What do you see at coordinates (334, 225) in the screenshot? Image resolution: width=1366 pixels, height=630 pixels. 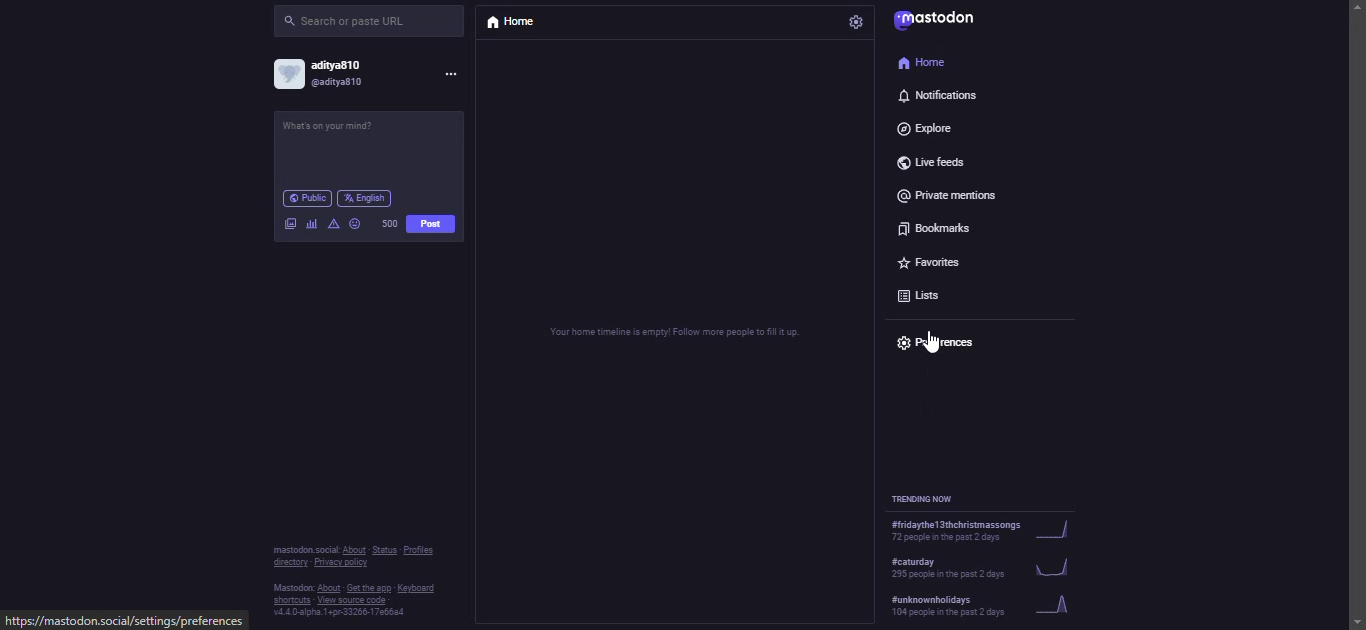 I see `advanced` at bounding box center [334, 225].